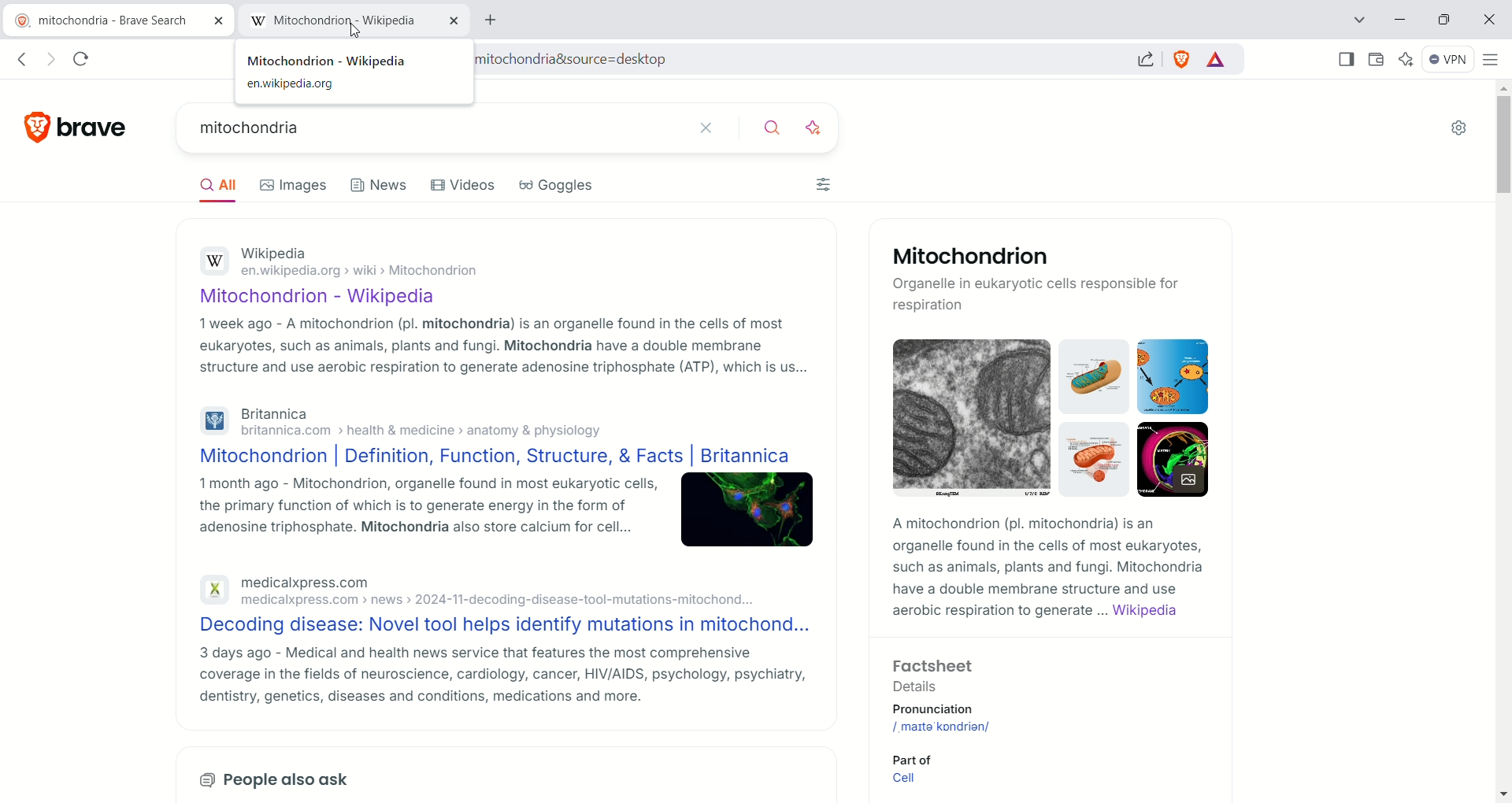 This screenshot has width=1512, height=803. I want to click on search tab, so click(1361, 22).